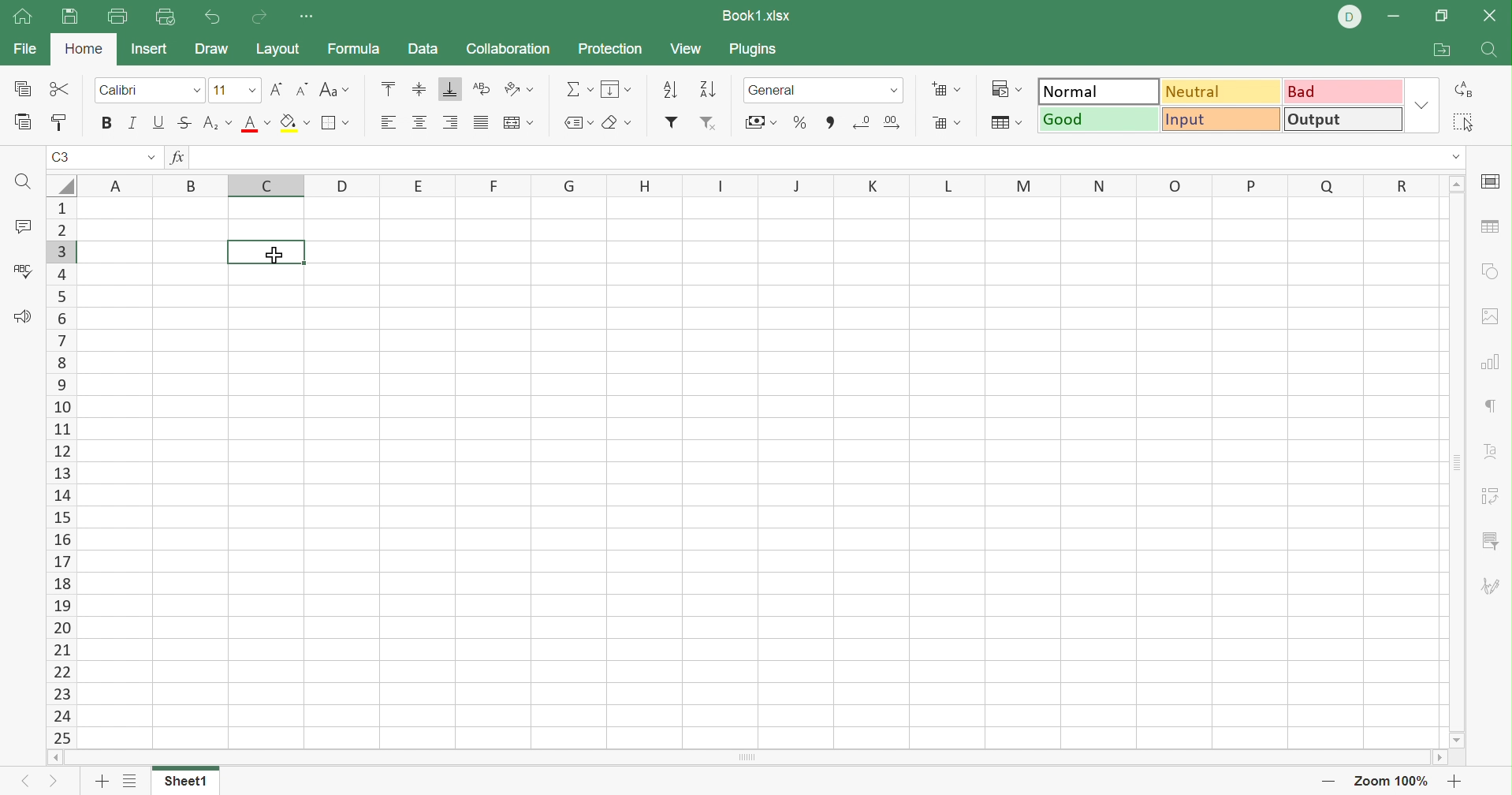  I want to click on Decrement font size, so click(299, 88).